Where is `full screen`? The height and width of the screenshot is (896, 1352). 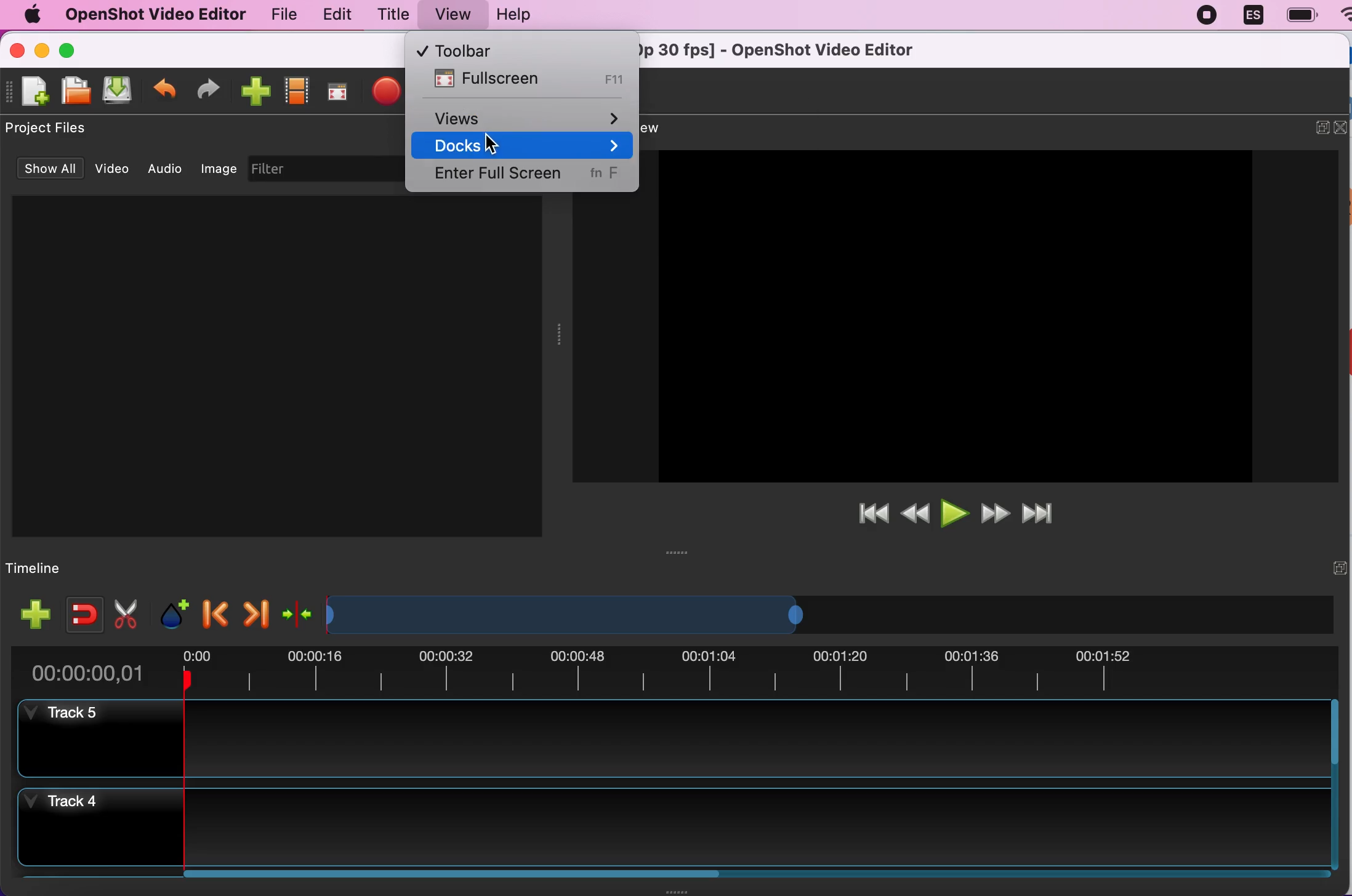 full screen is located at coordinates (337, 93).